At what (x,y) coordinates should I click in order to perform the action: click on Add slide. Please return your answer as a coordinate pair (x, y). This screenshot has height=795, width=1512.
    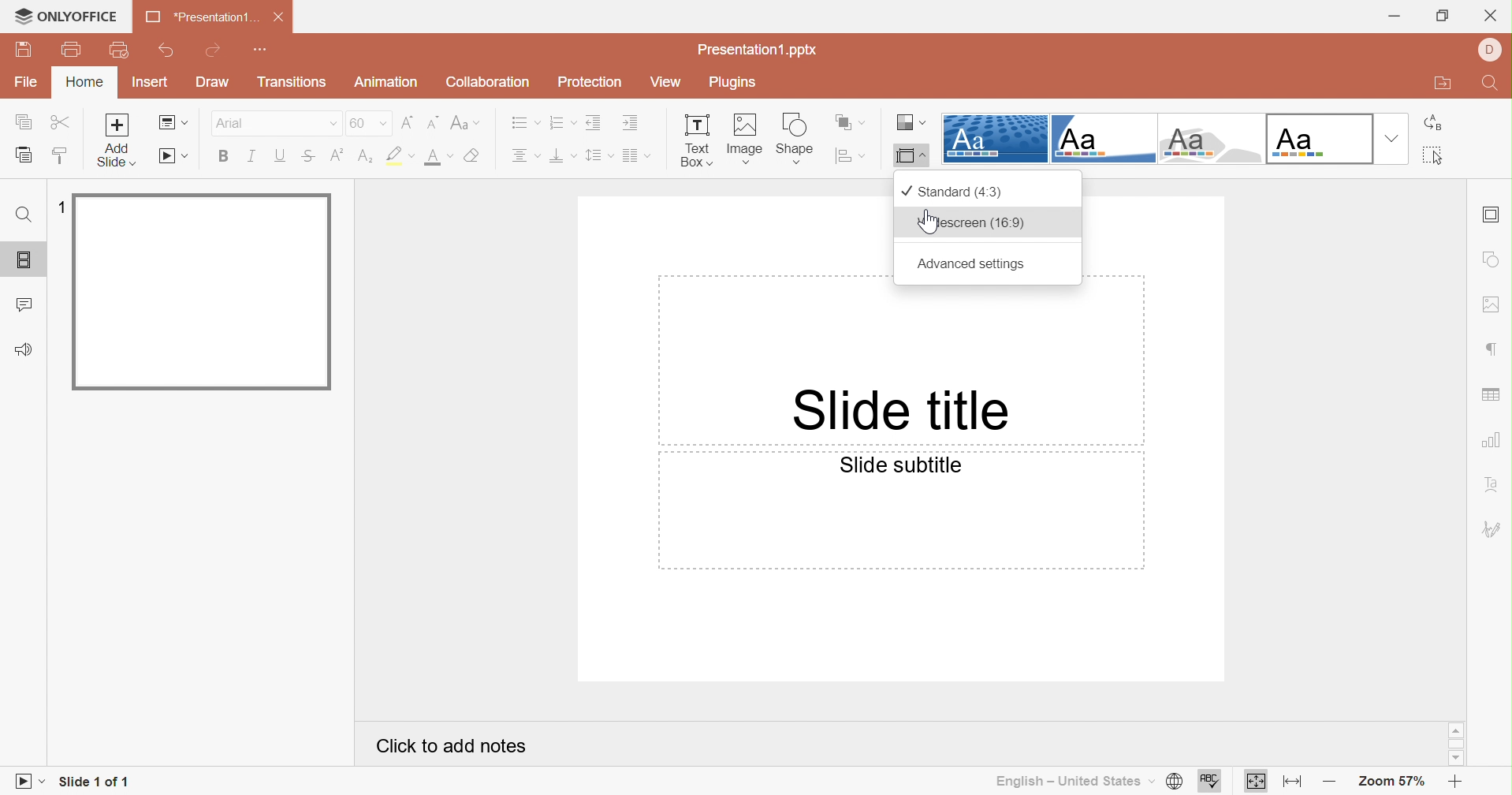
    Looking at the image, I should click on (115, 125).